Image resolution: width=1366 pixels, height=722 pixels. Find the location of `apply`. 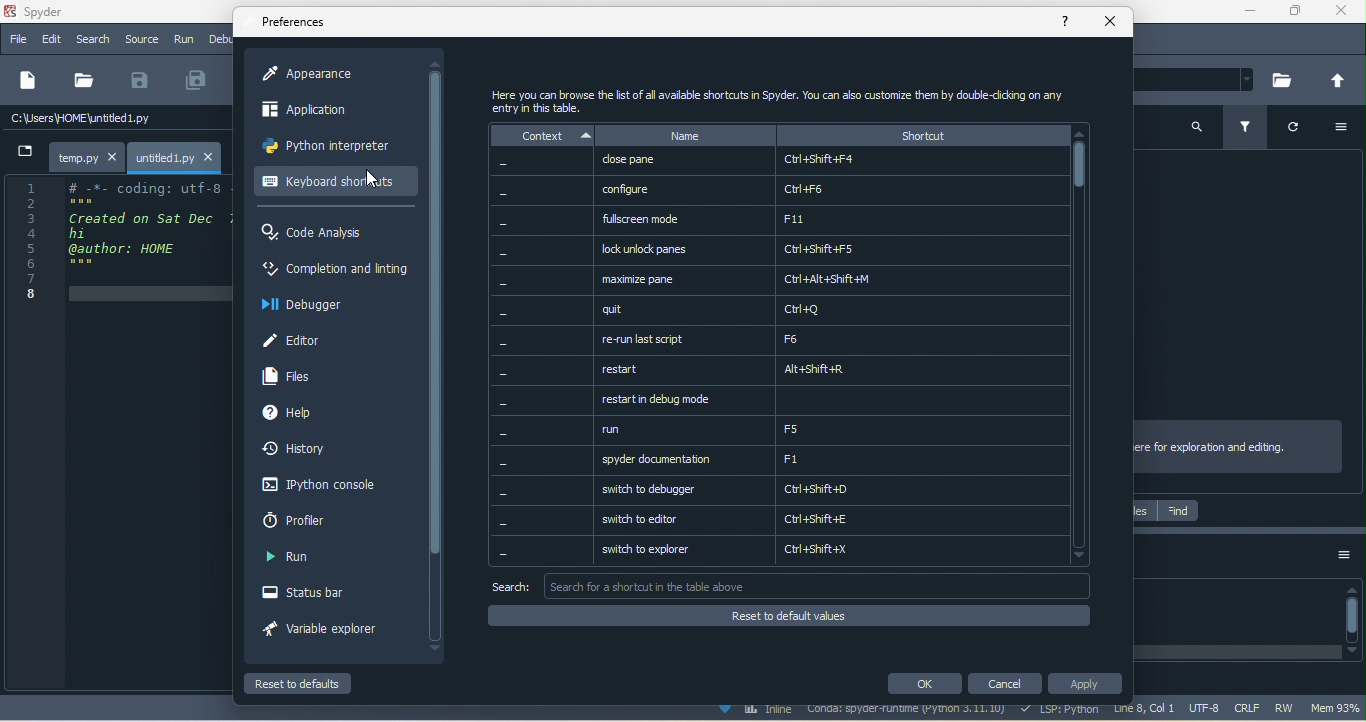

apply is located at coordinates (1086, 684).